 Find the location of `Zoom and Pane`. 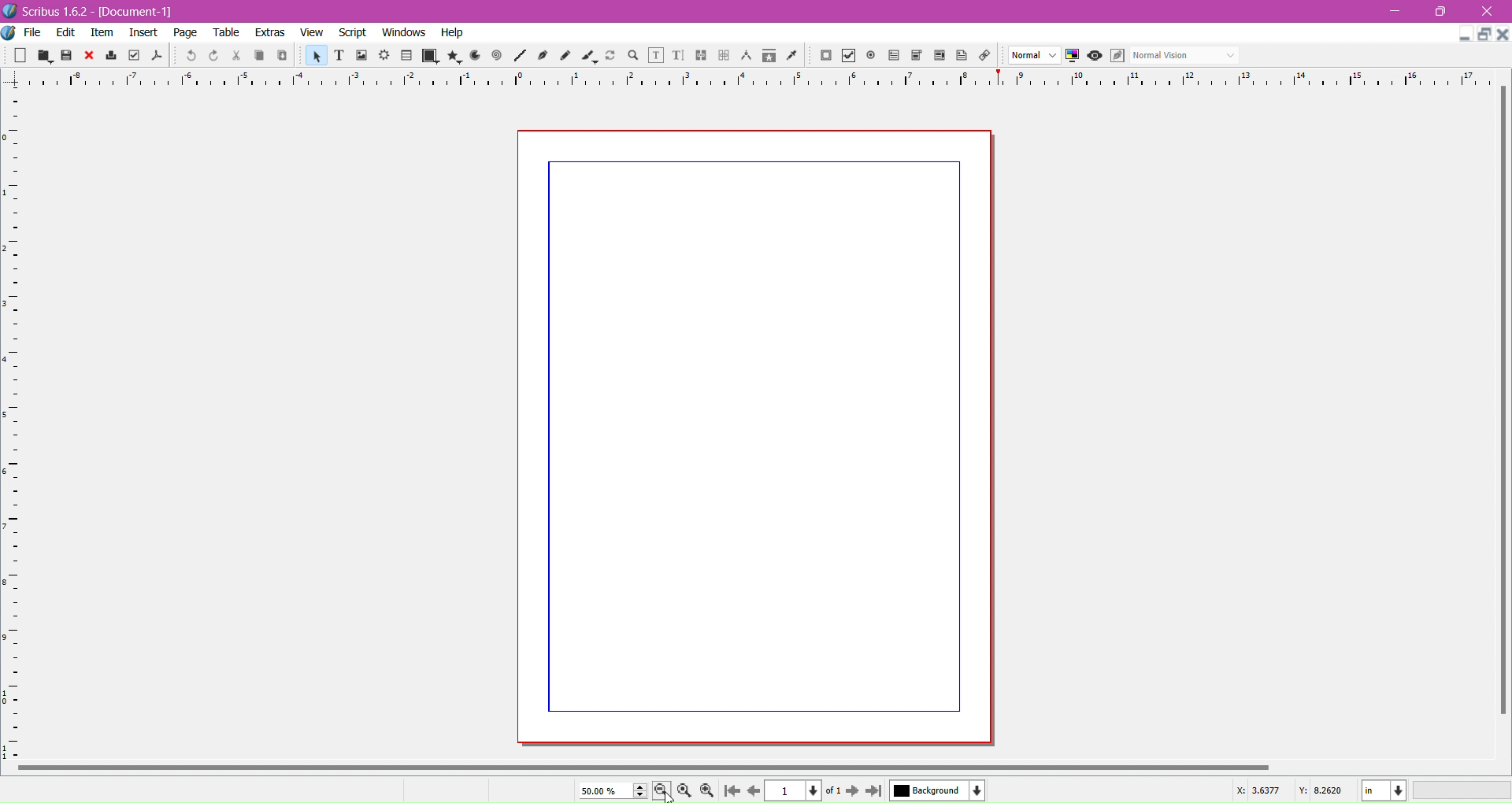

Zoom and Pane is located at coordinates (632, 57).